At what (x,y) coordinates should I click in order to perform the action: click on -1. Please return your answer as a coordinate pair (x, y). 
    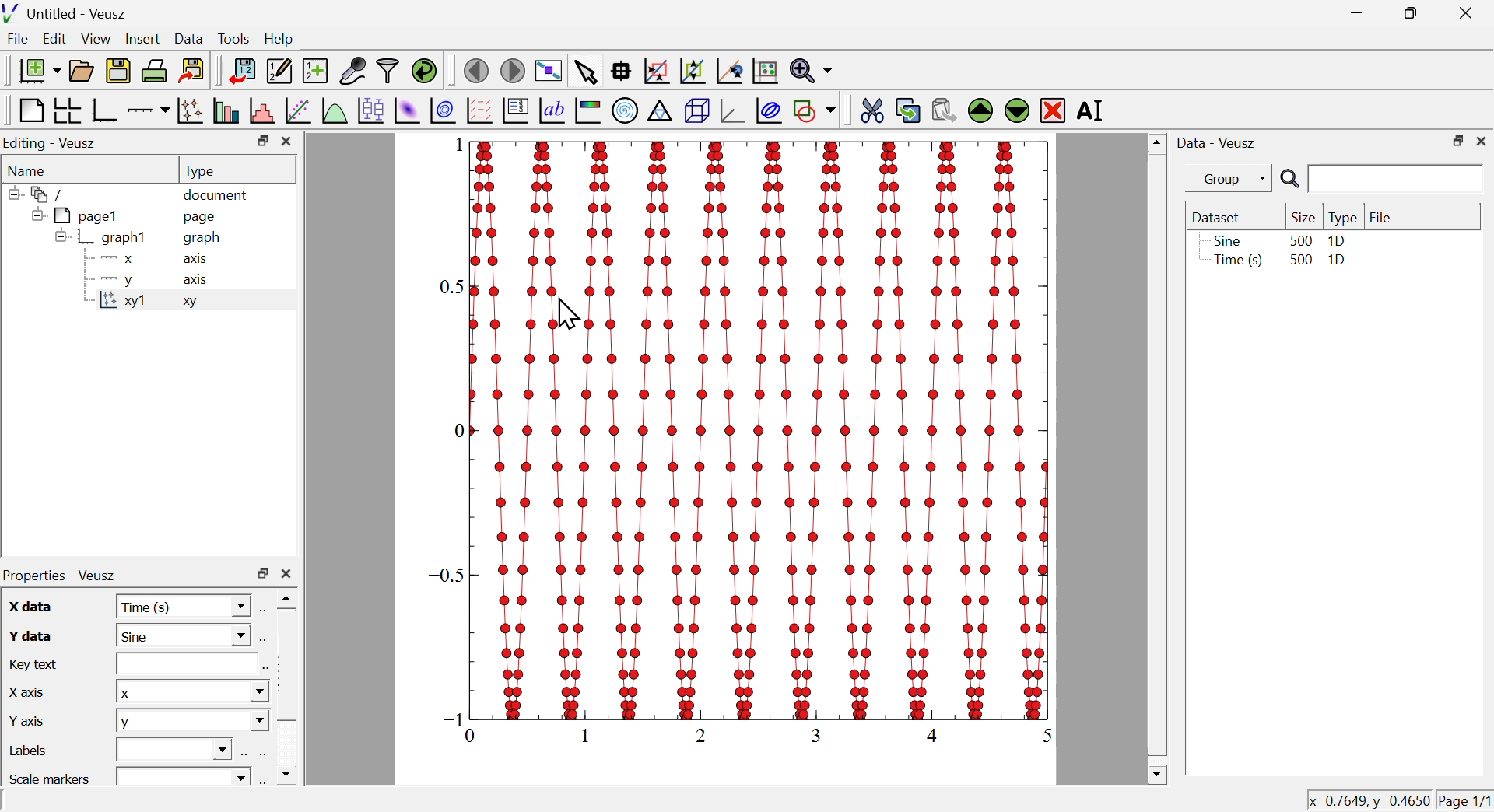
    Looking at the image, I should click on (454, 718).